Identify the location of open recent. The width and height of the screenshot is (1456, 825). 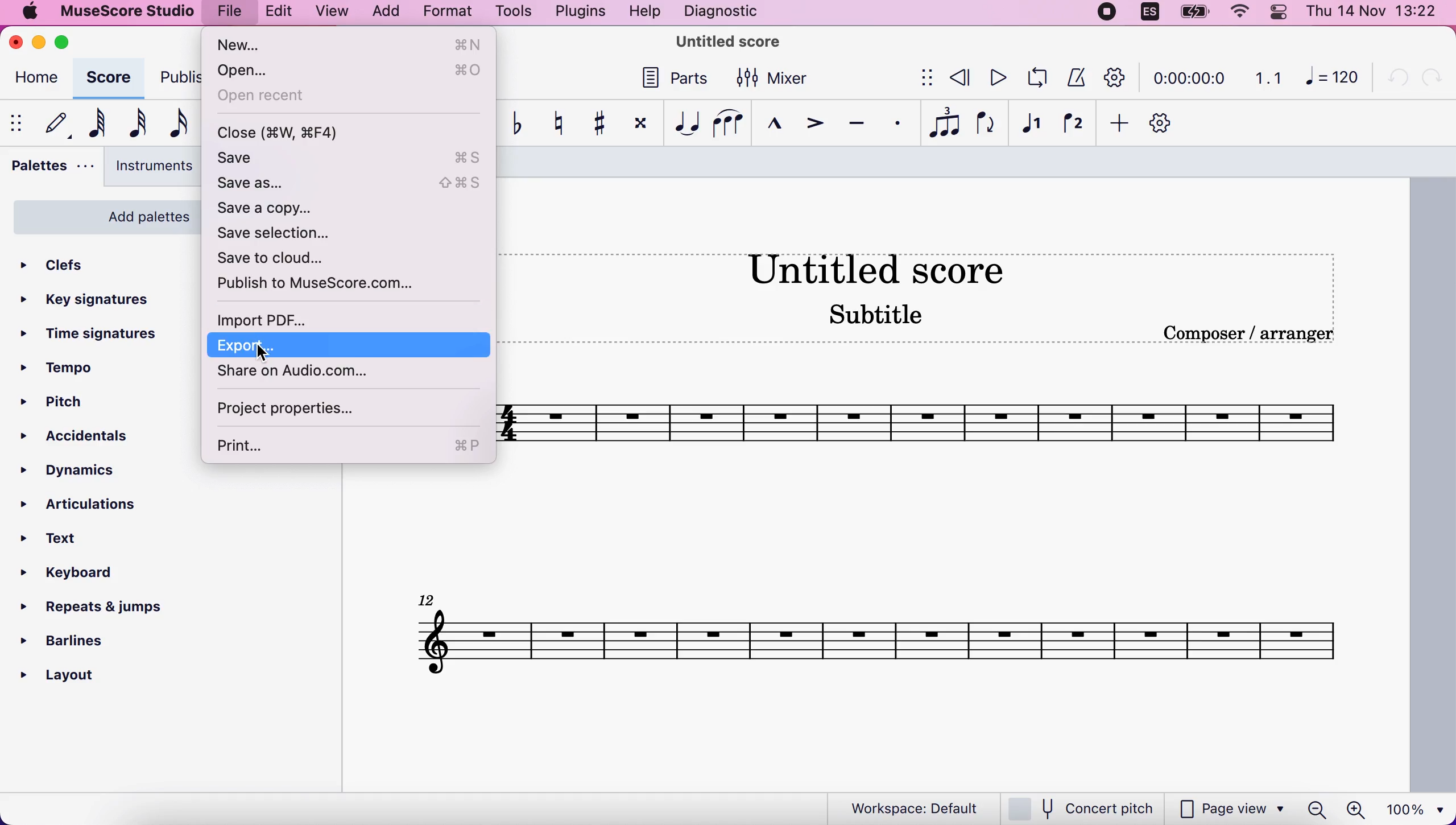
(349, 98).